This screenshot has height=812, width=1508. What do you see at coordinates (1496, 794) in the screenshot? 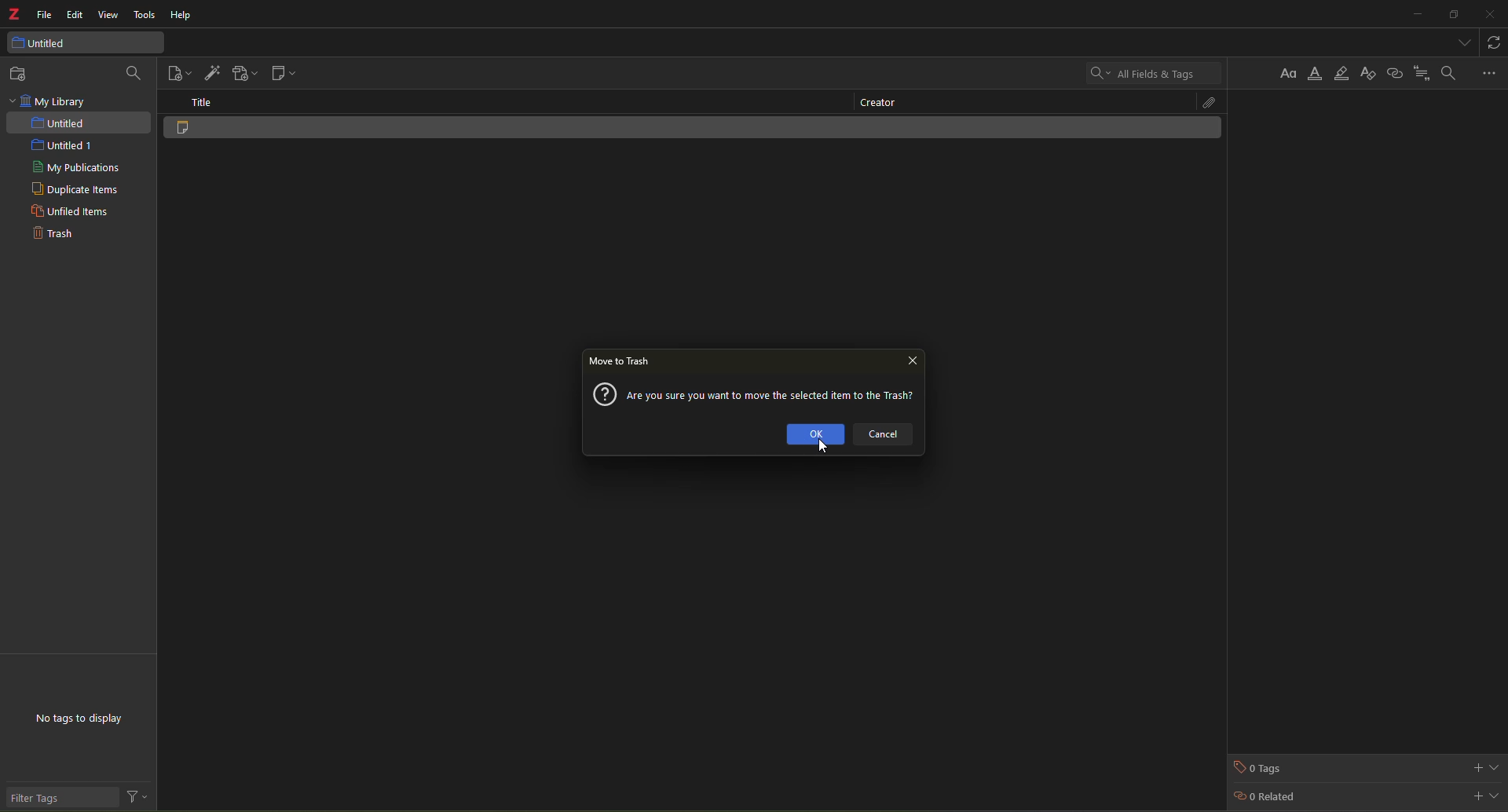
I see `expand` at bounding box center [1496, 794].